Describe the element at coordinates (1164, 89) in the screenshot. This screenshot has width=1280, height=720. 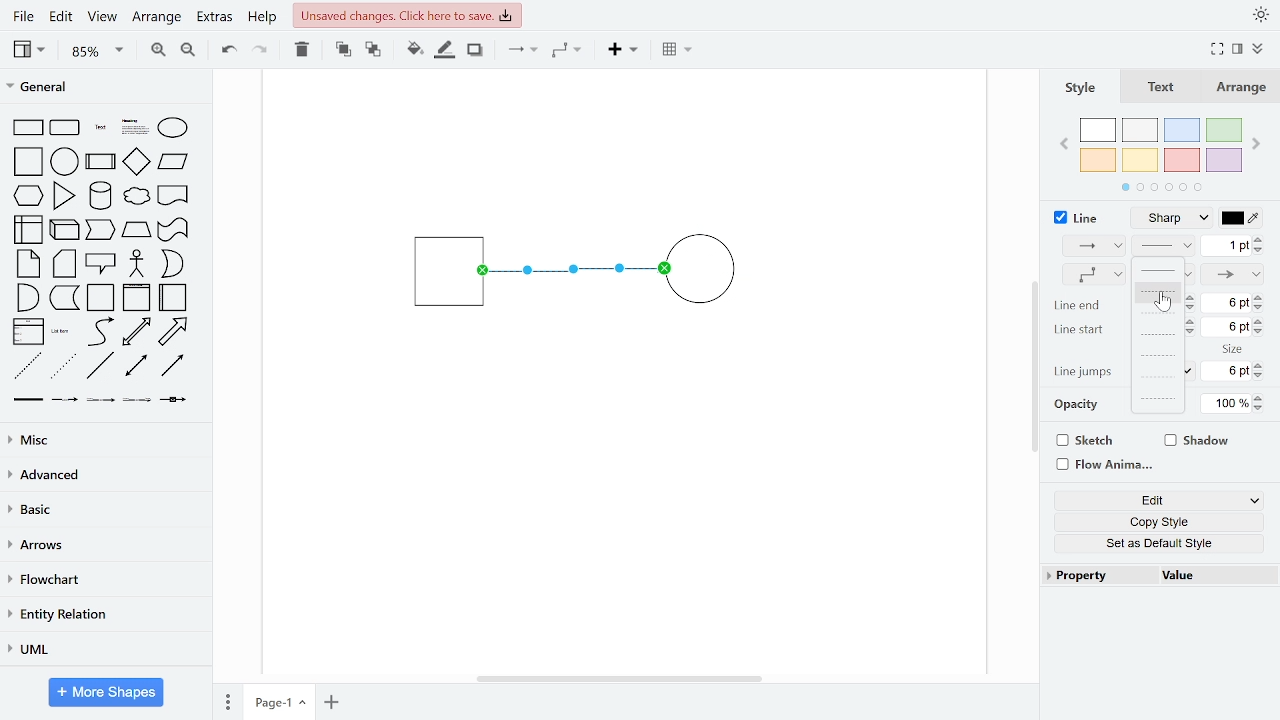
I see `text` at that location.